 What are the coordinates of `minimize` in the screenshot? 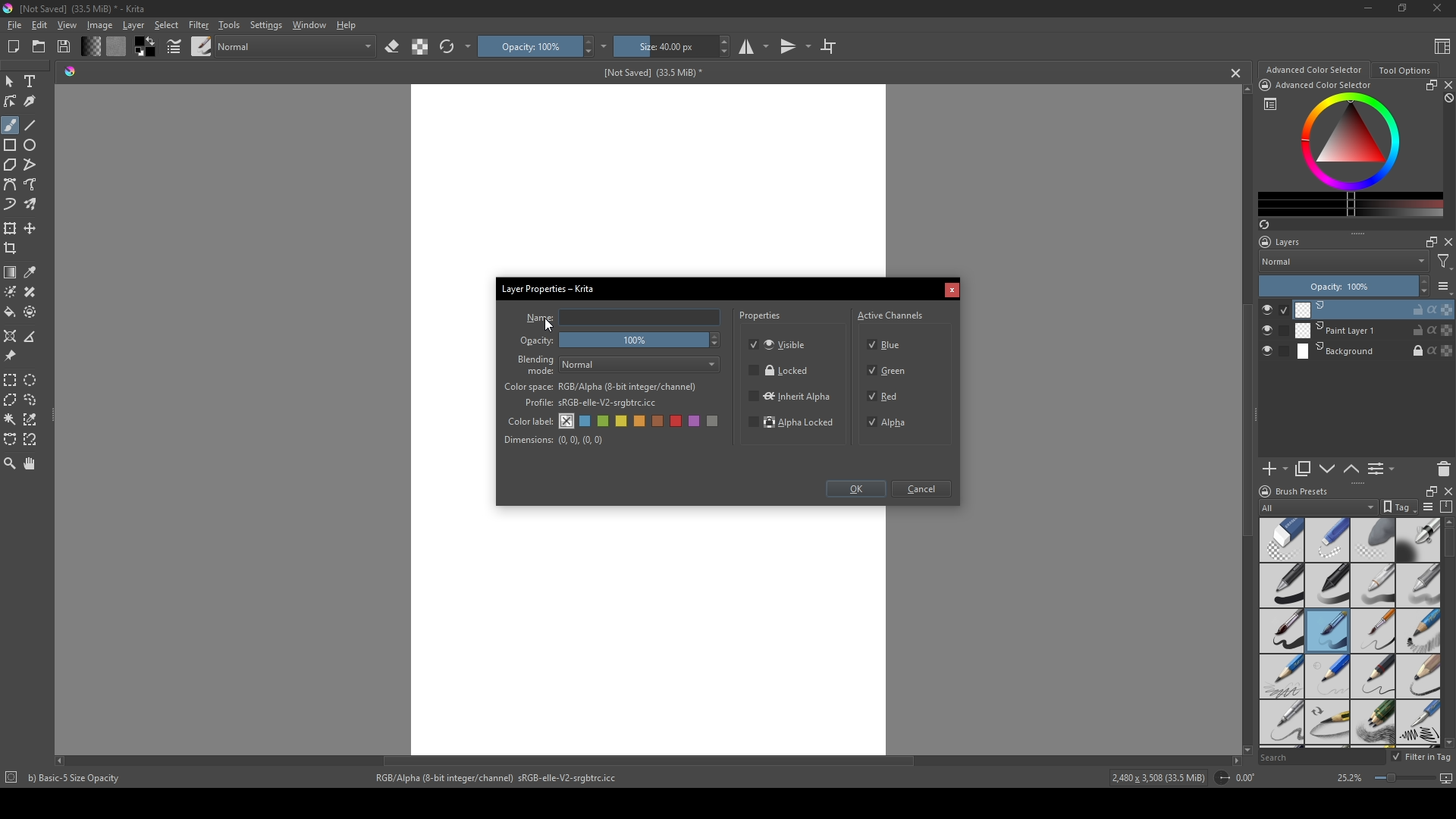 It's located at (1369, 8).